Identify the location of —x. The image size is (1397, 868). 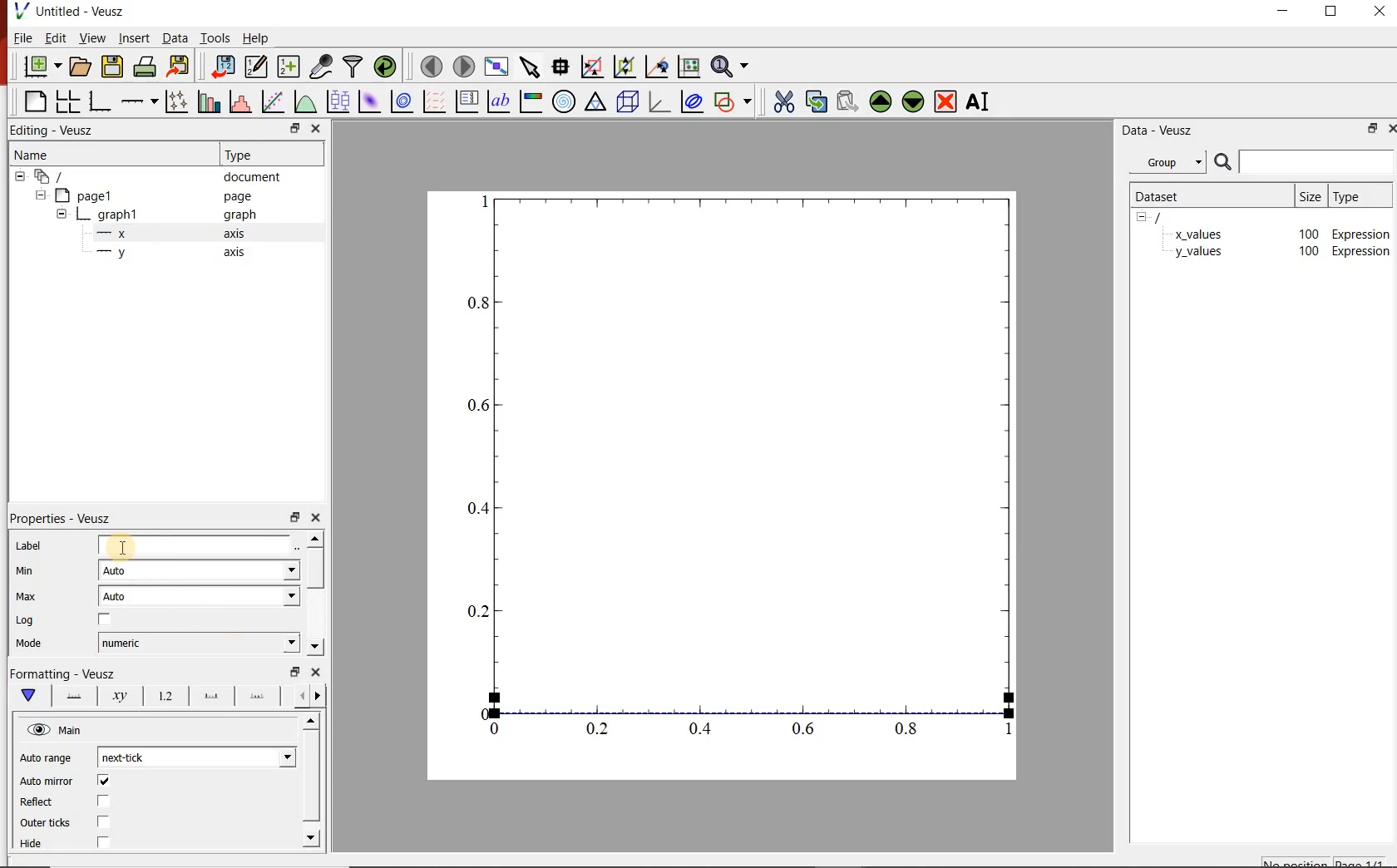
(116, 232).